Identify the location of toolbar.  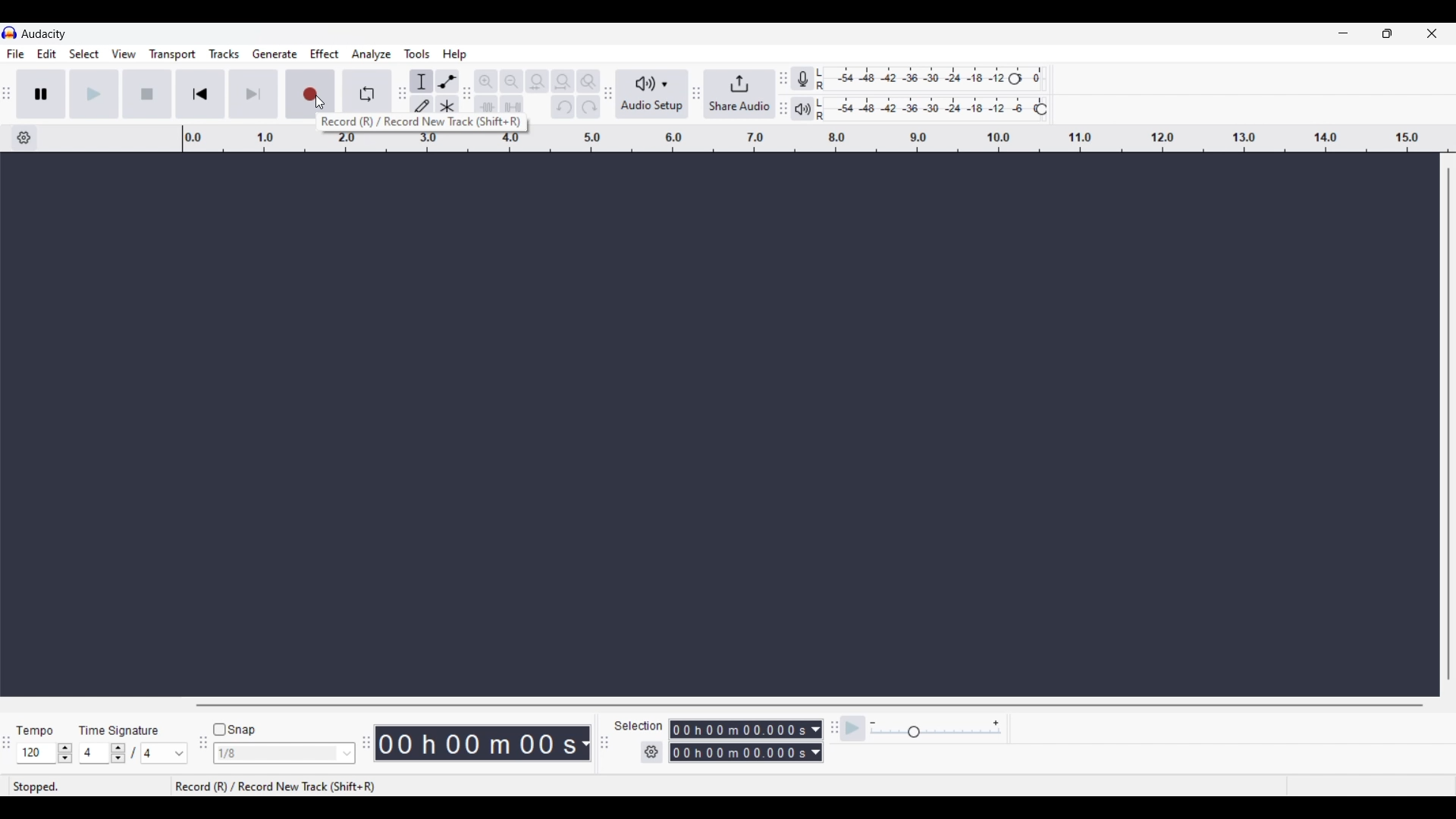
(9, 92).